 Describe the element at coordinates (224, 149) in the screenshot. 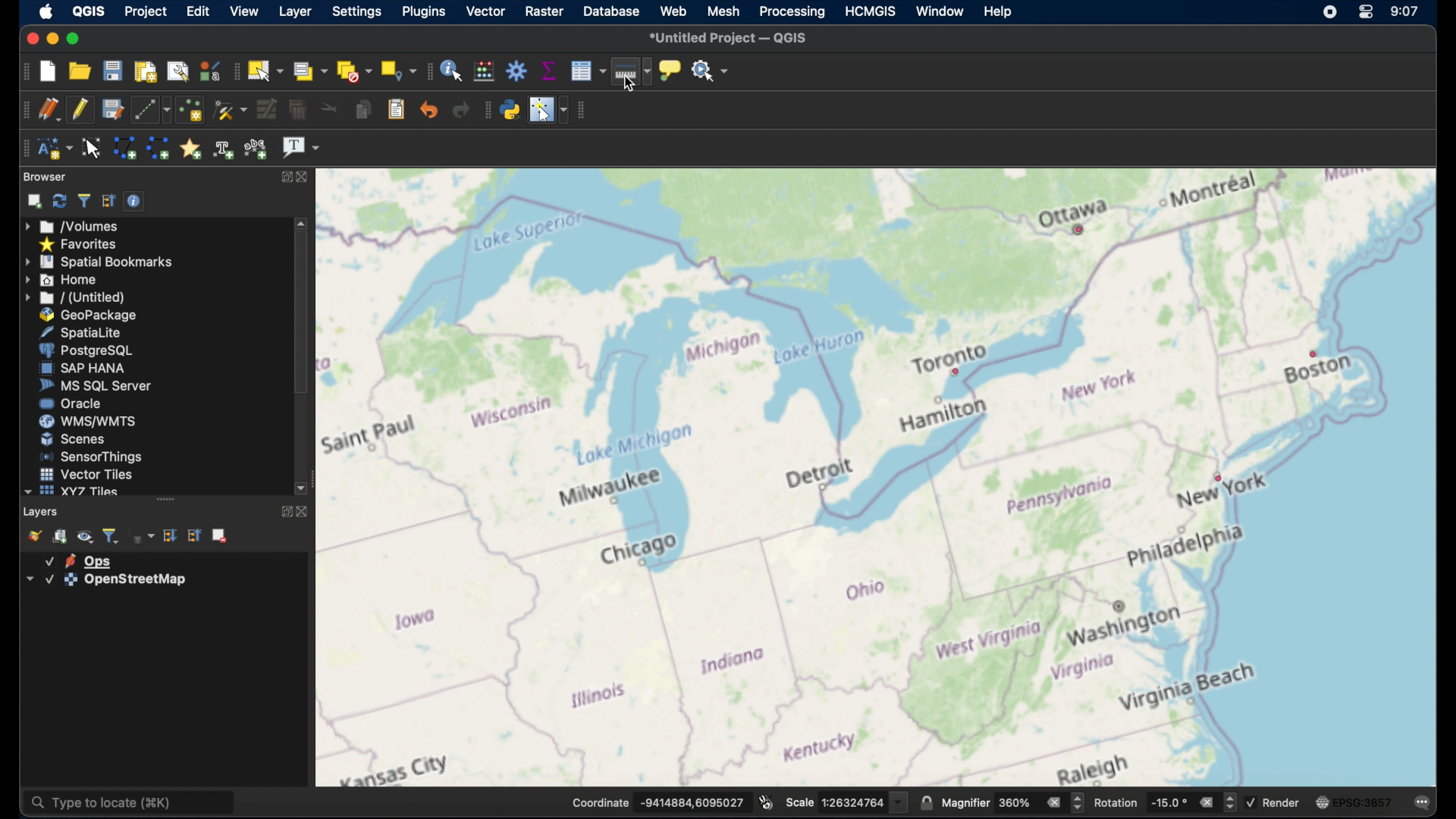

I see `create text annotation along line` at that location.